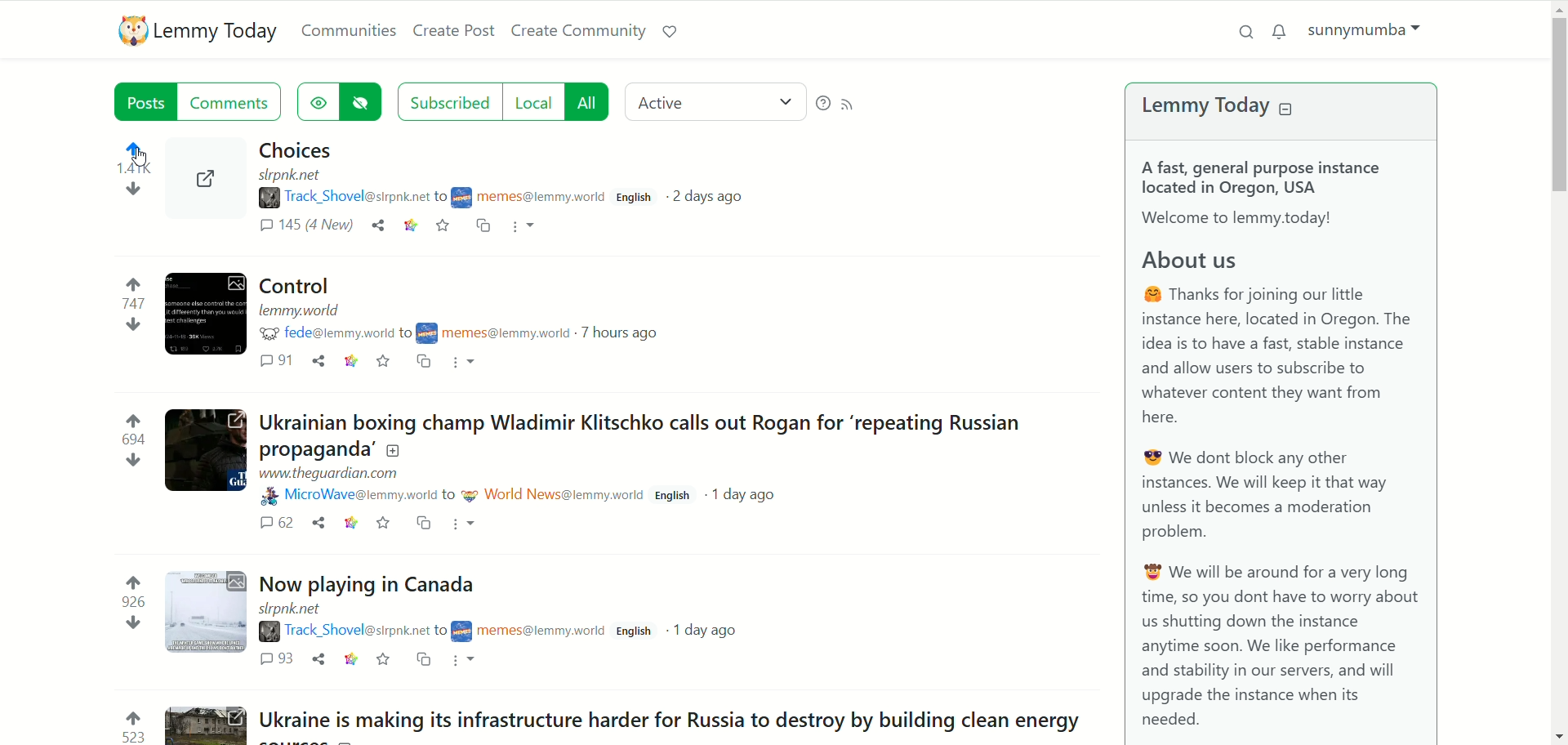 The image size is (1568, 745). What do you see at coordinates (463, 631) in the screenshot?
I see `poster image` at bounding box center [463, 631].